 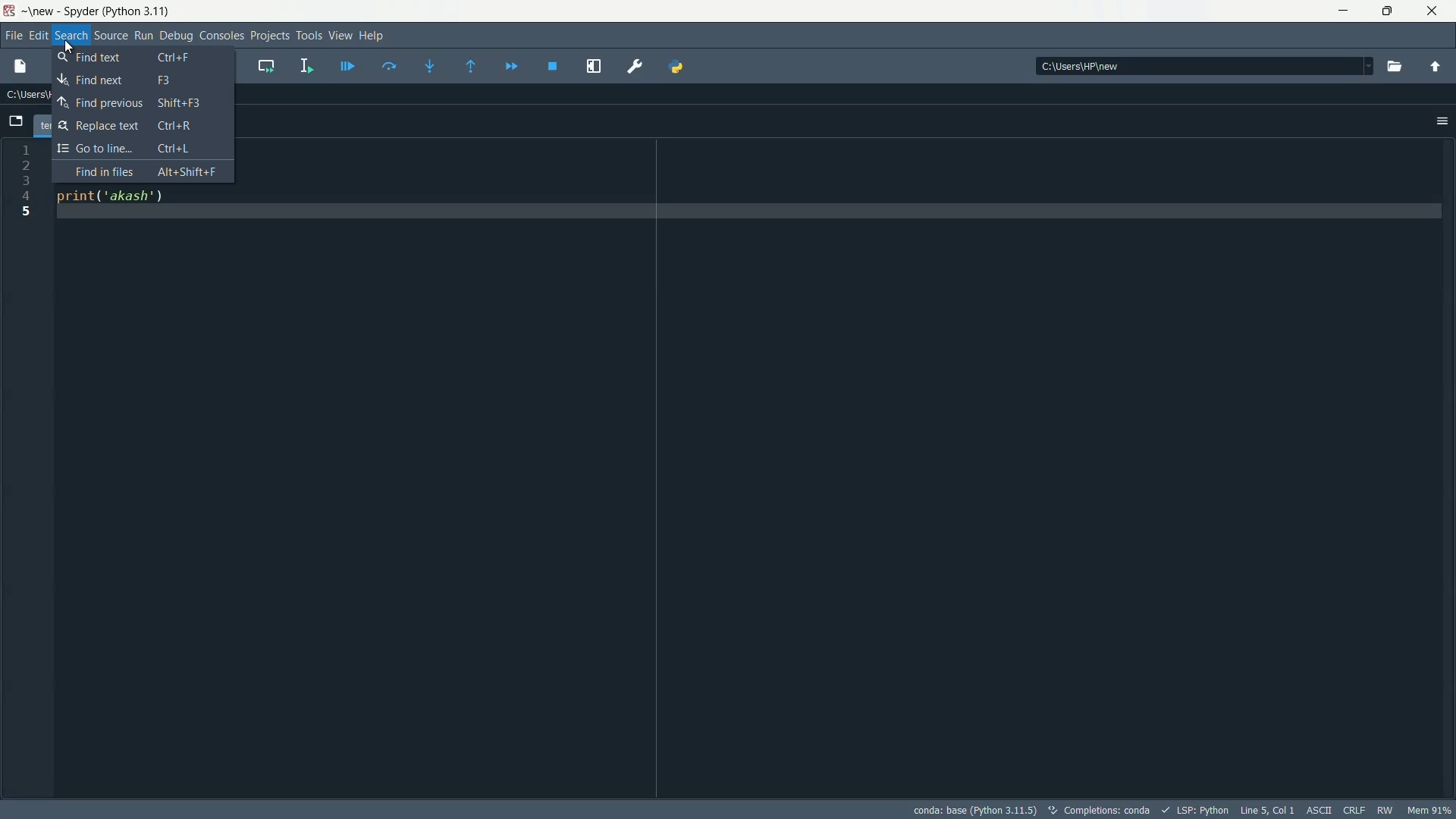 What do you see at coordinates (1389, 11) in the screenshot?
I see `restore` at bounding box center [1389, 11].